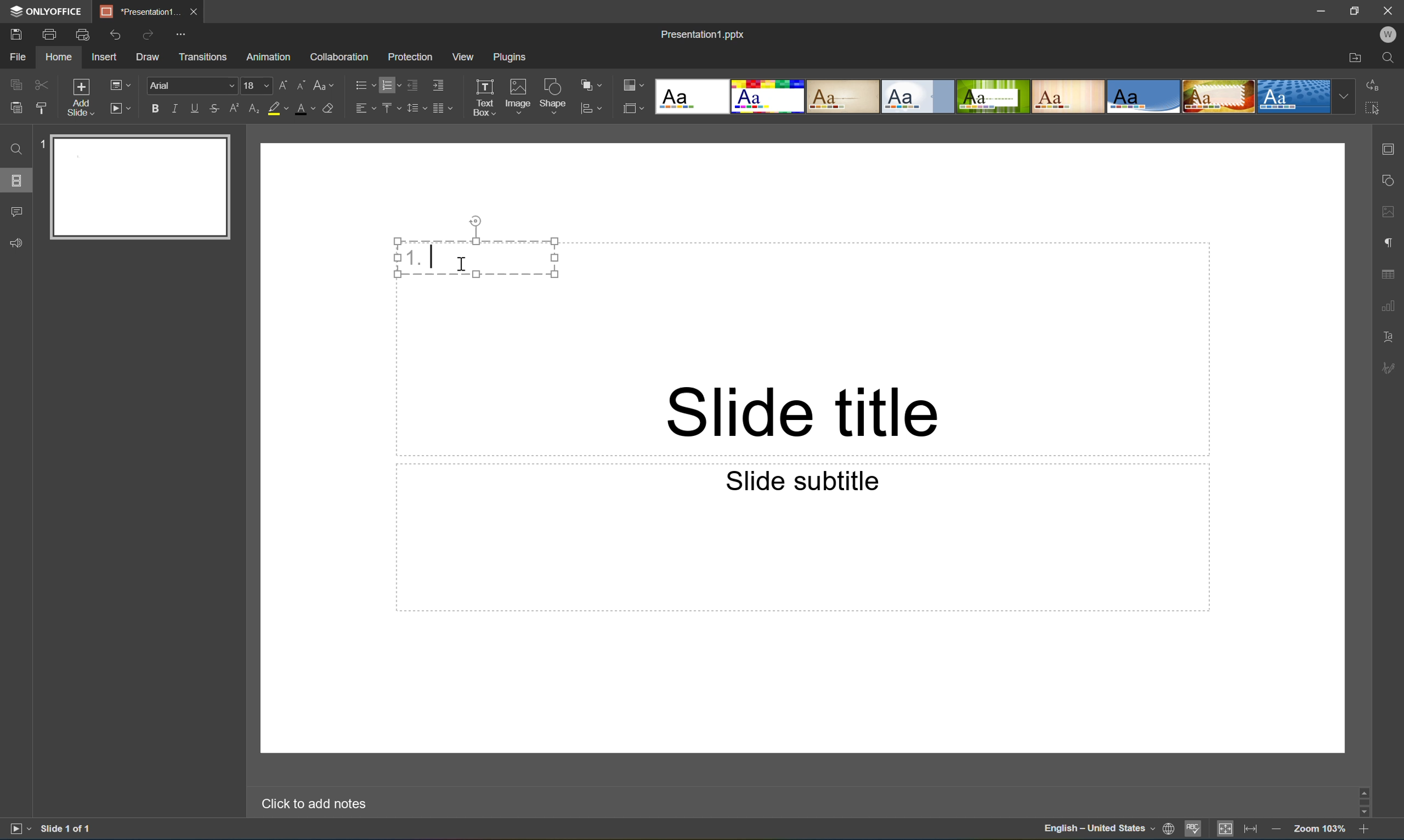  Describe the element at coordinates (148, 58) in the screenshot. I see `Draw` at that location.